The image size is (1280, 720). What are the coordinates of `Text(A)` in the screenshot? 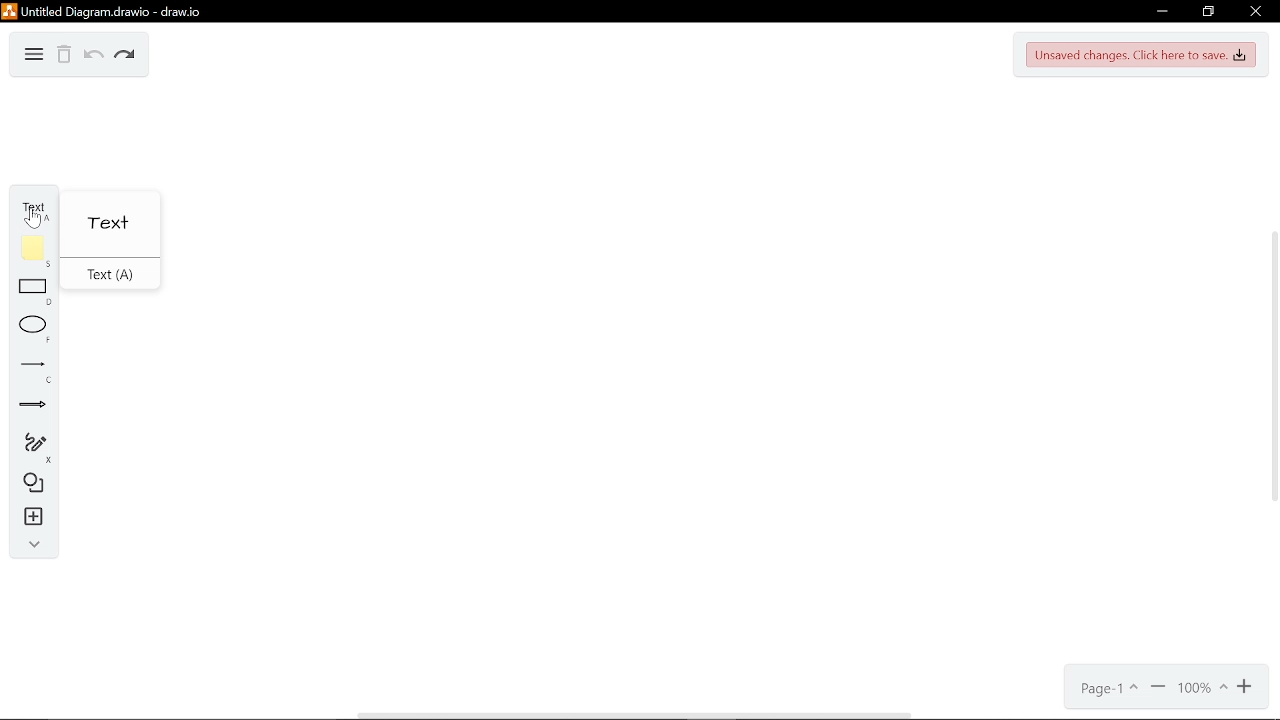 It's located at (106, 275).